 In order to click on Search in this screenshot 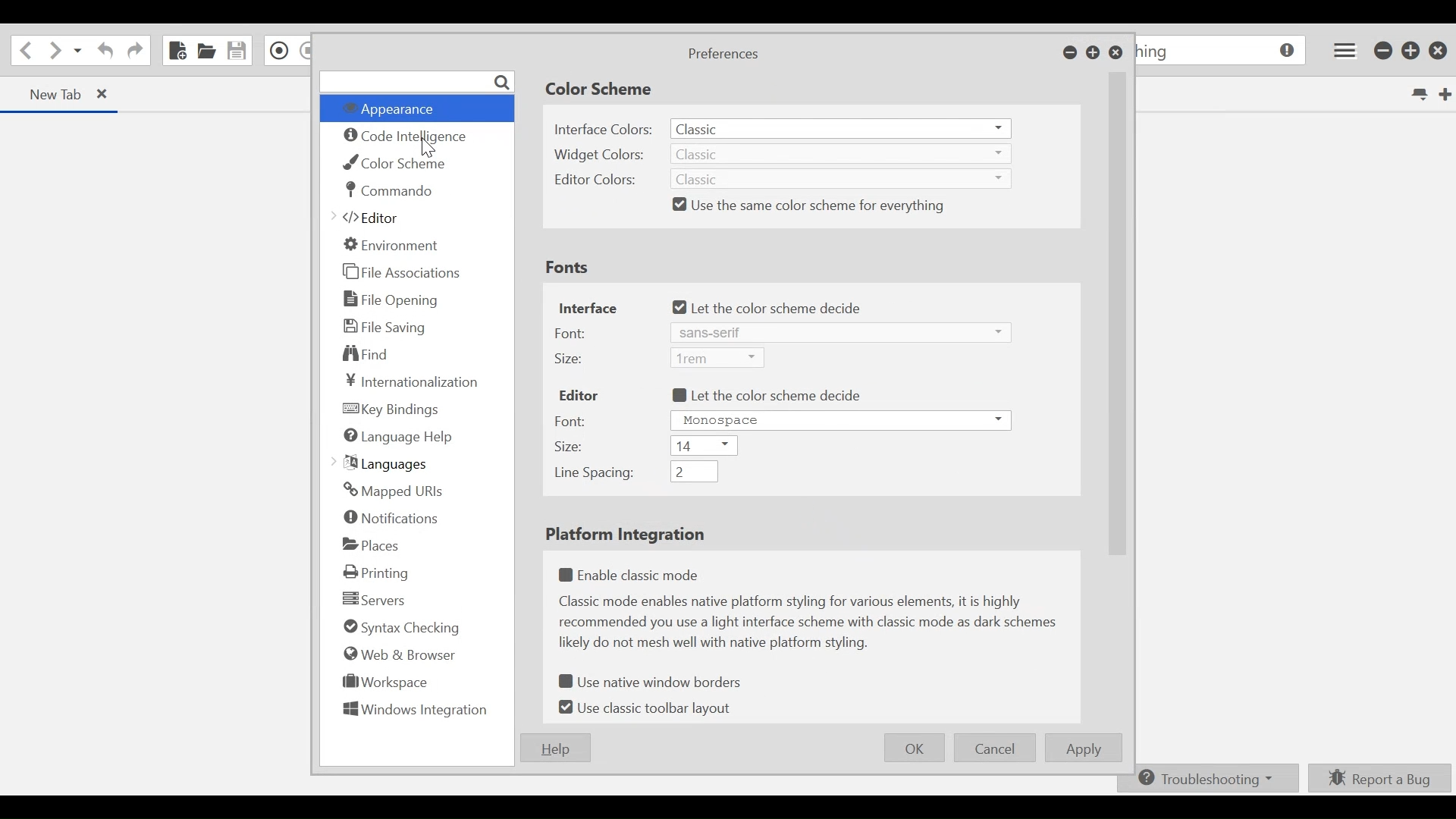, I will do `click(416, 81)`.